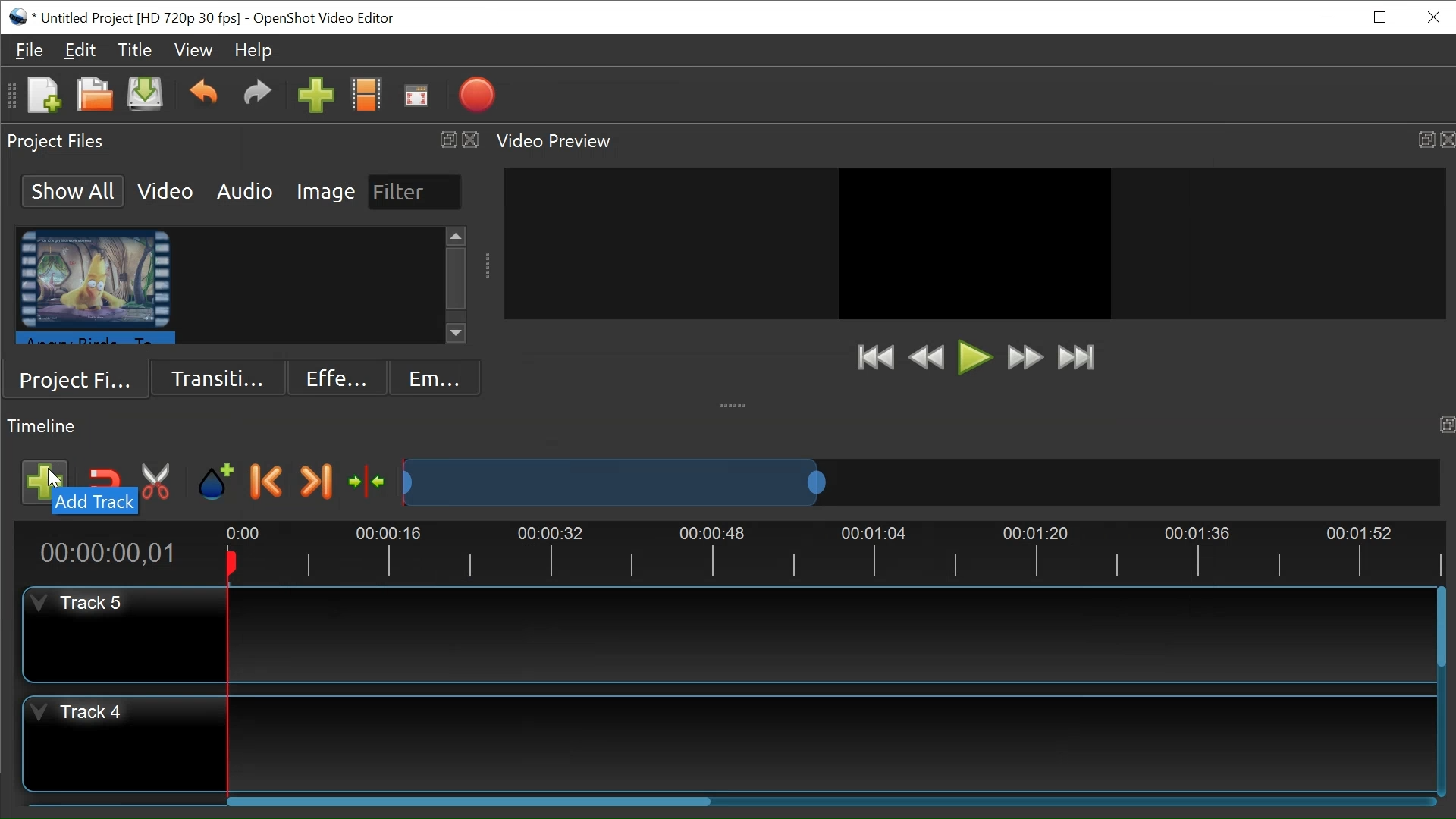 The image size is (1456, 819). What do you see at coordinates (46, 480) in the screenshot?
I see `Add track` at bounding box center [46, 480].